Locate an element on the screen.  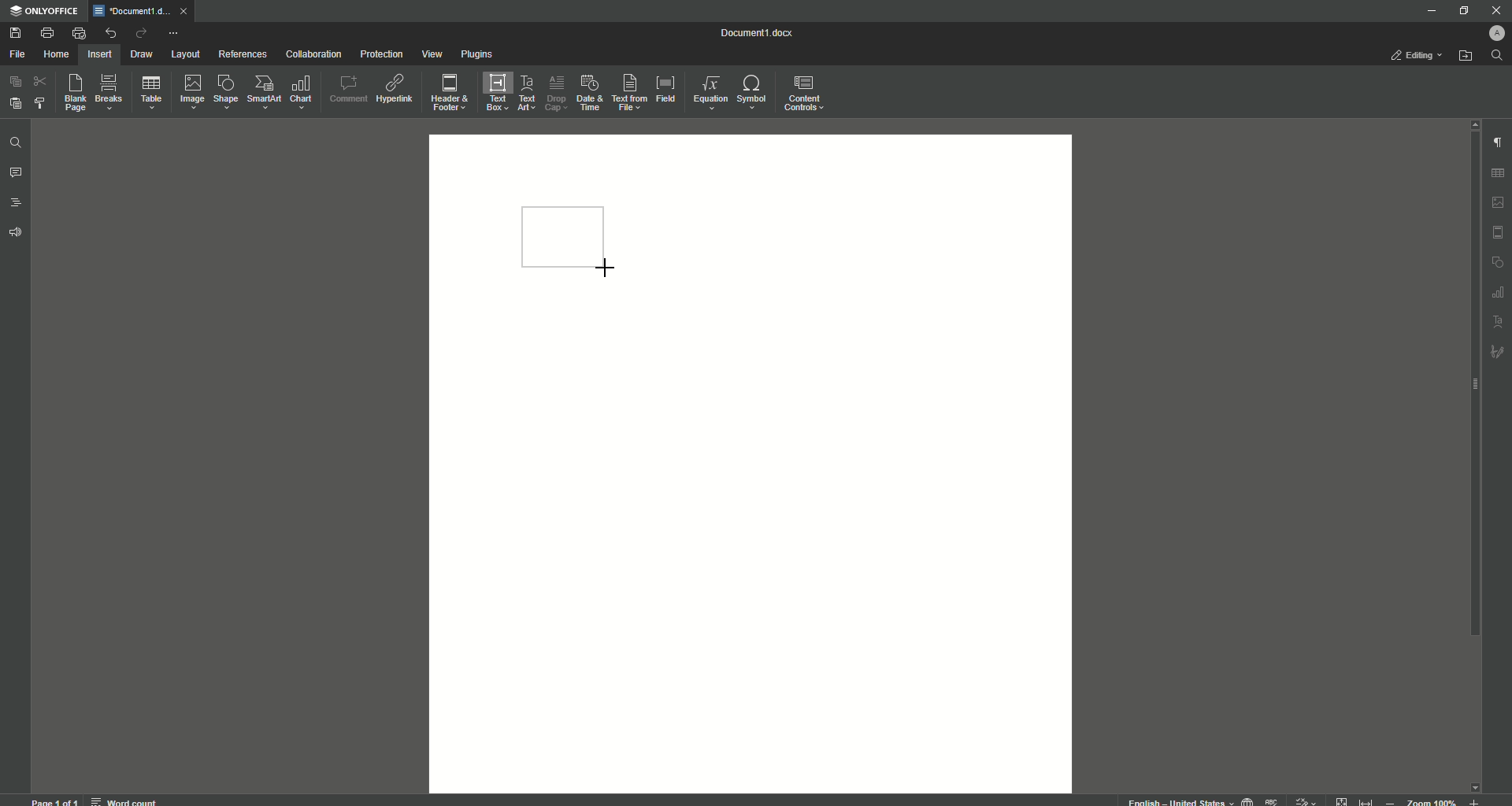
ONLYOFFICE is located at coordinates (45, 12).